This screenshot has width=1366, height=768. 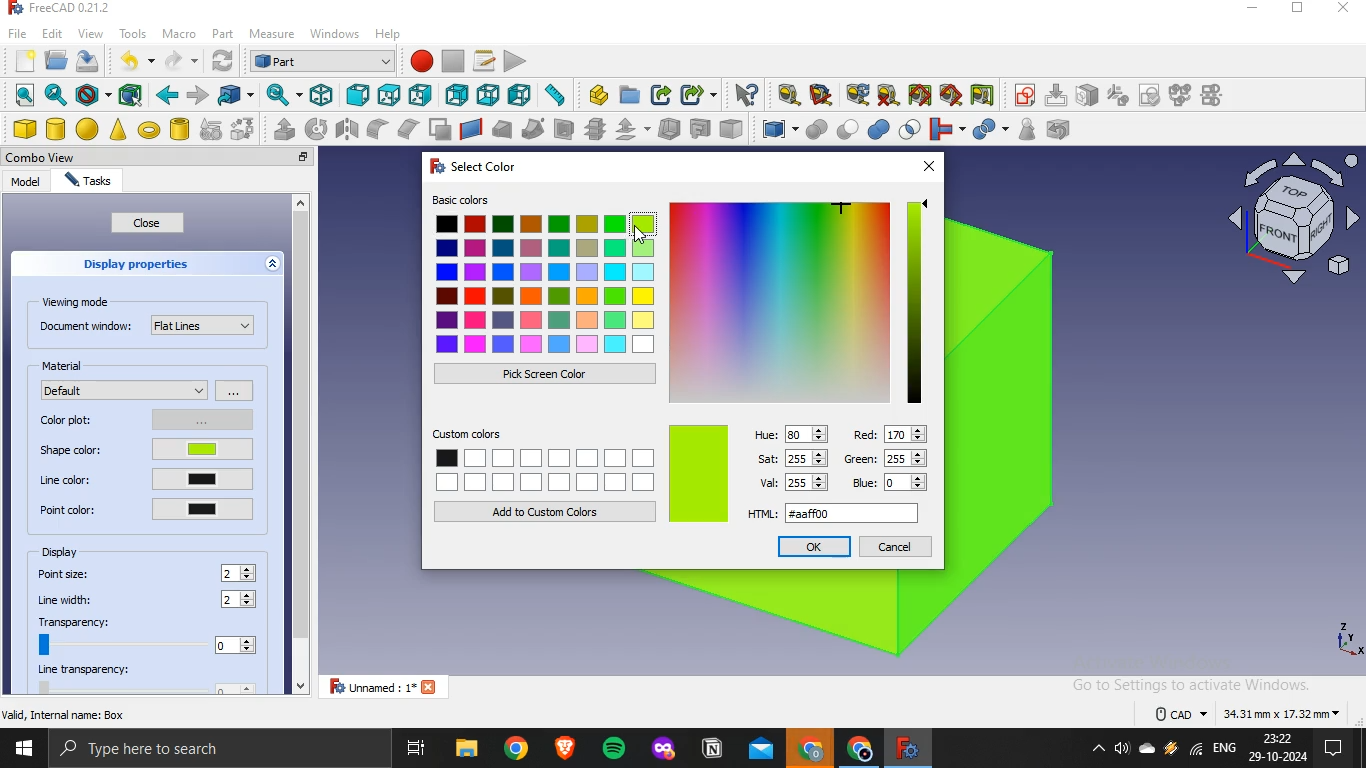 What do you see at coordinates (516, 60) in the screenshot?
I see `execute macro recording` at bounding box center [516, 60].